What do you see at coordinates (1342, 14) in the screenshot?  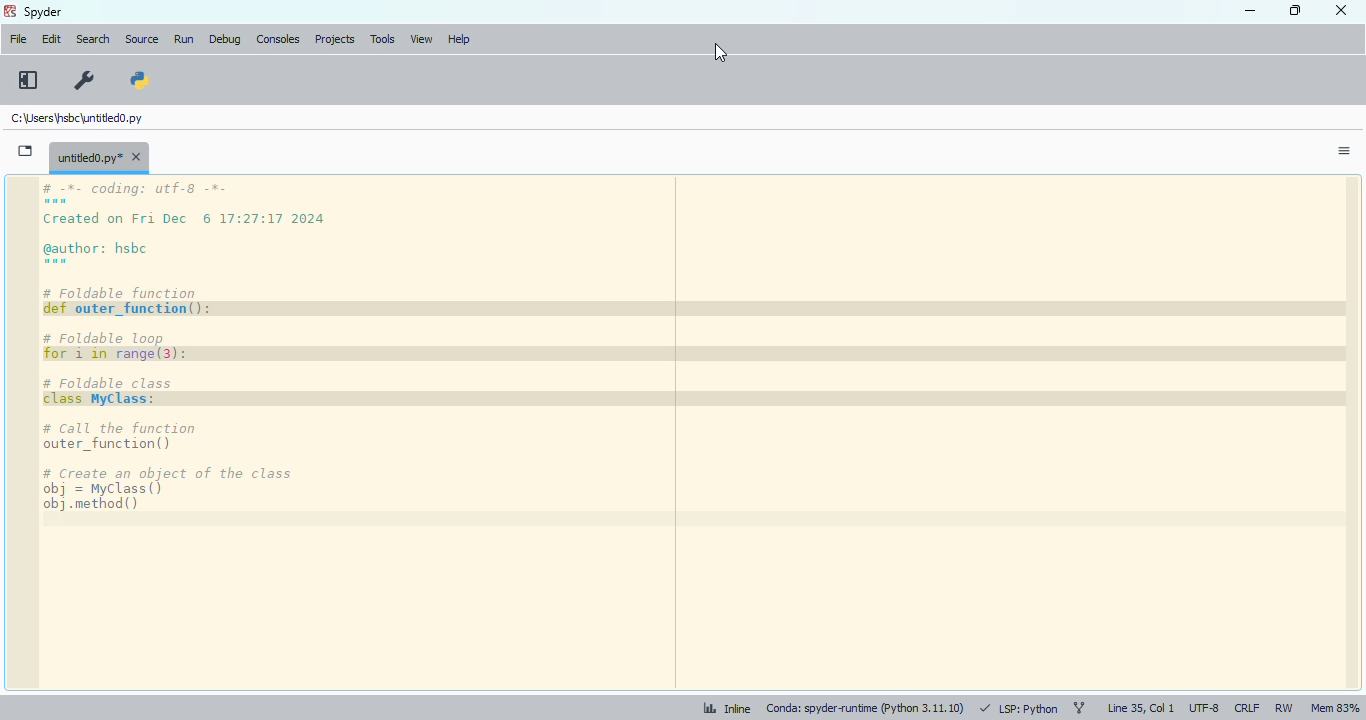 I see `close` at bounding box center [1342, 14].